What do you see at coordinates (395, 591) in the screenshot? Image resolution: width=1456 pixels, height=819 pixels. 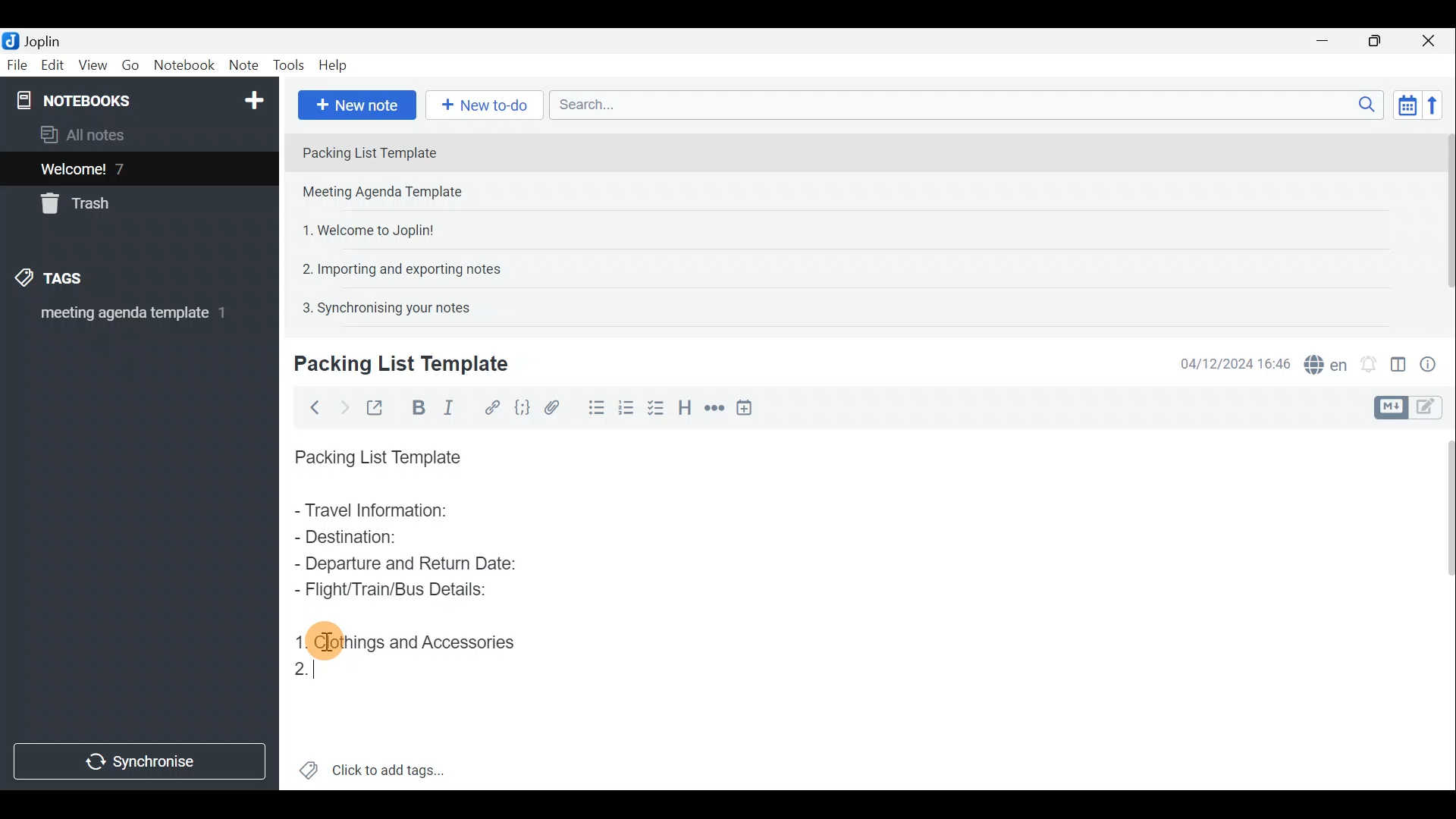 I see `Flight/Train/Bus Details:` at bounding box center [395, 591].